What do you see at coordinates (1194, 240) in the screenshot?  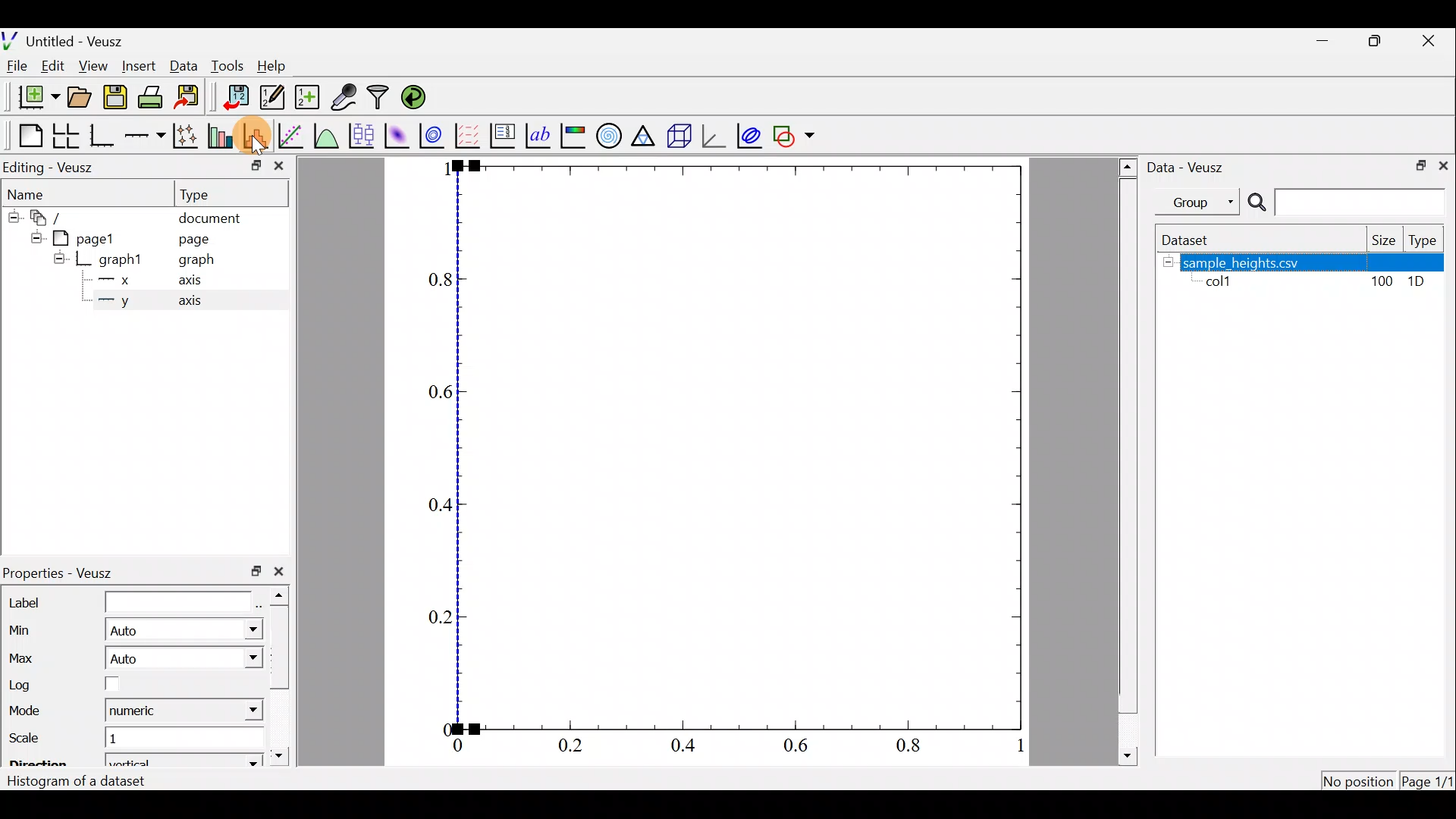 I see `Dataset` at bounding box center [1194, 240].